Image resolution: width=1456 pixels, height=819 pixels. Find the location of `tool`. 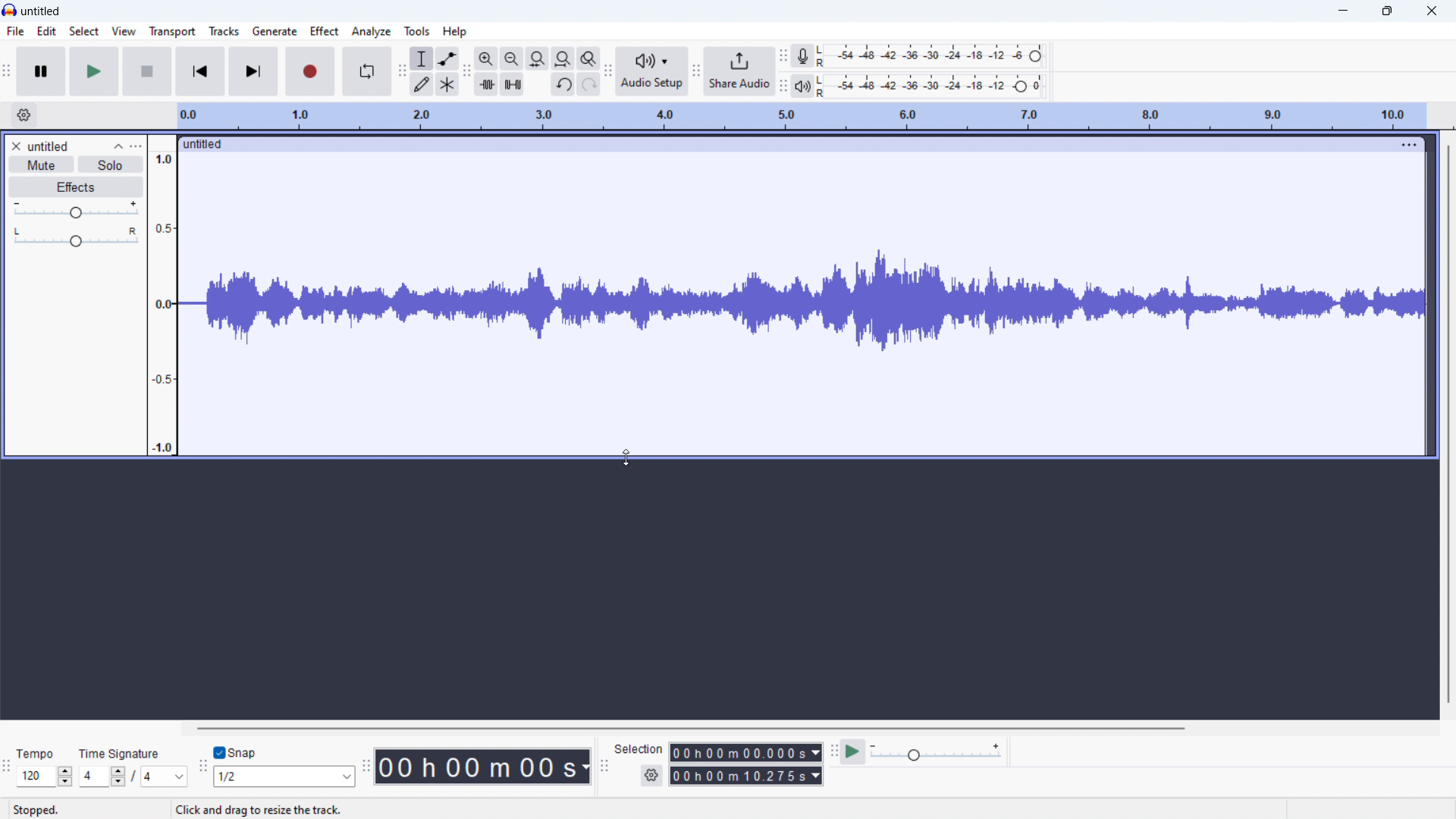

tool is located at coordinates (417, 31).